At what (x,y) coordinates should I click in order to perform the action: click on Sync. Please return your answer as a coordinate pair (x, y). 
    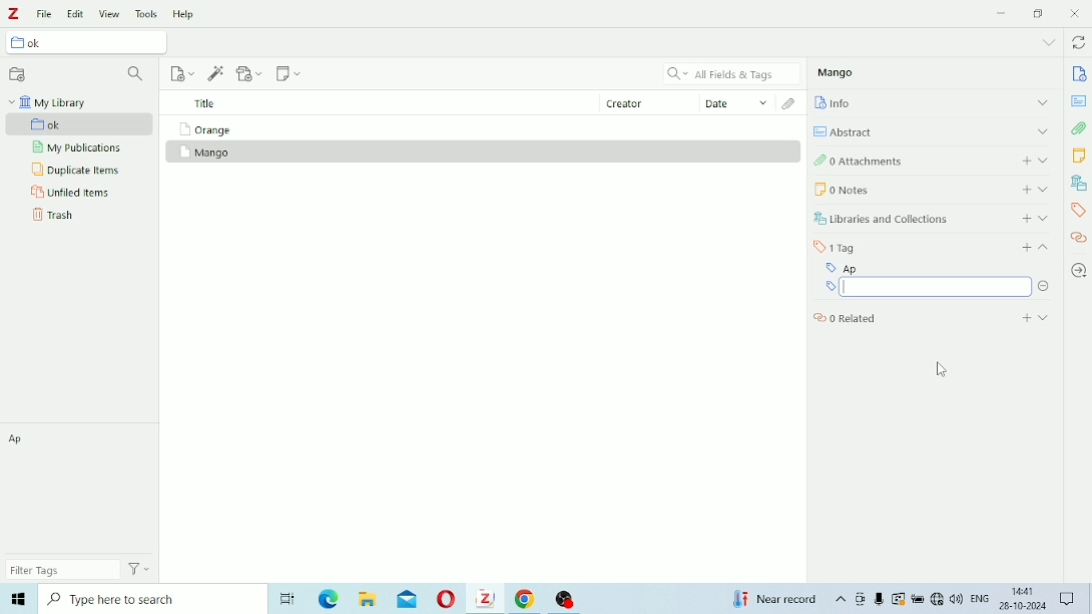
    Looking at the image, I should click on (1080, 43).